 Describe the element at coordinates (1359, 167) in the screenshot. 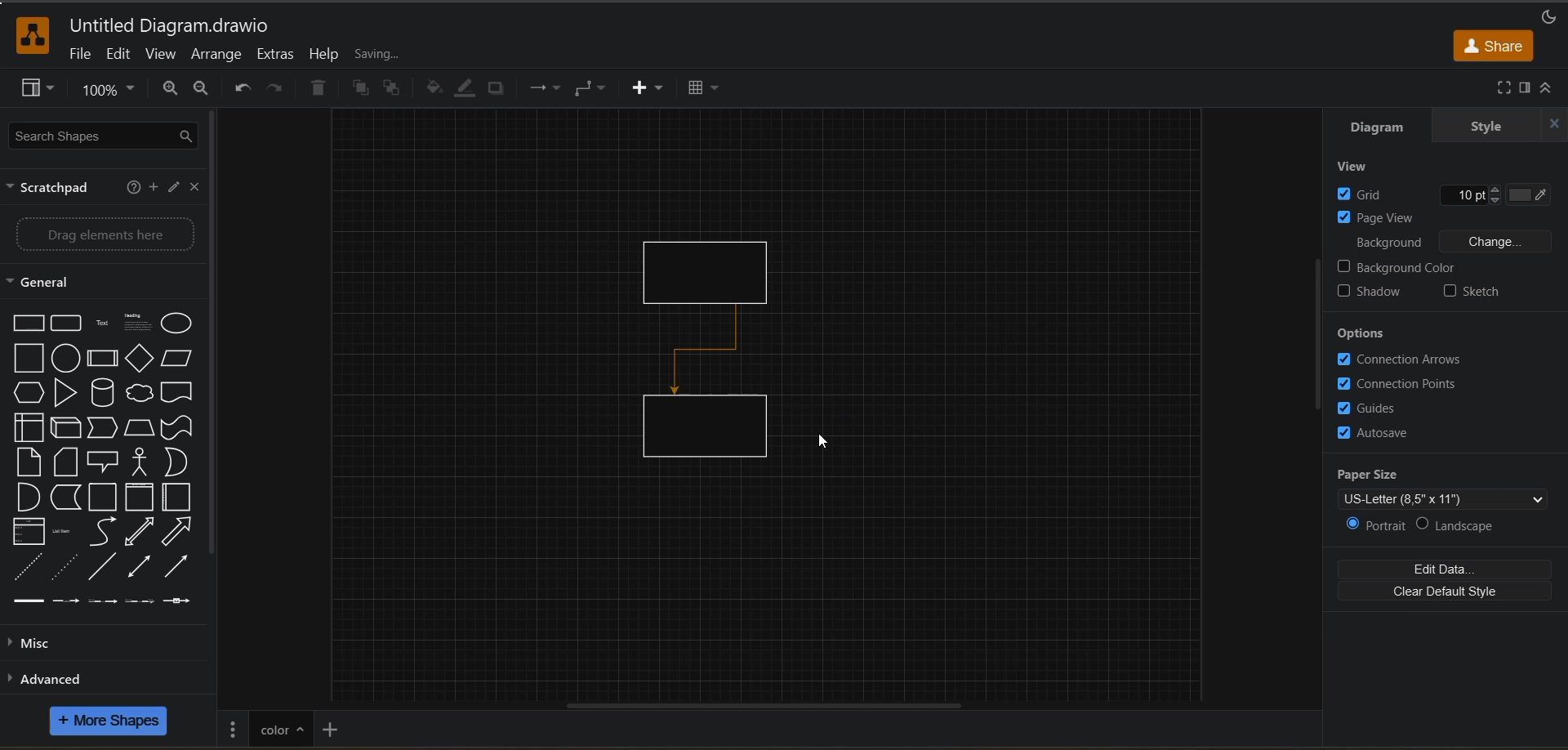

I see `view` at that location.